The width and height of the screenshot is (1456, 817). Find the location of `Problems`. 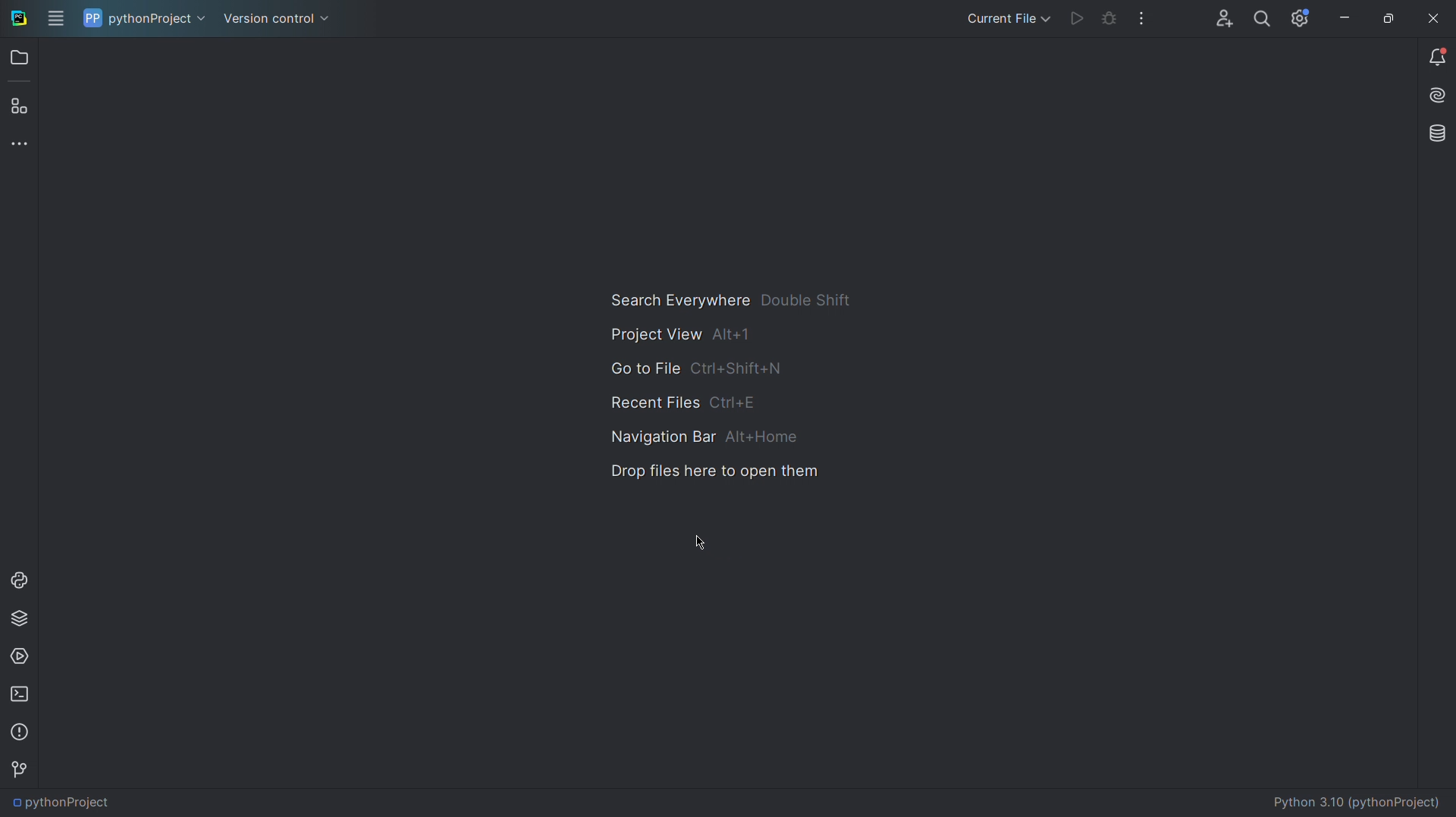

Problems is located at coordinates (22, 734).